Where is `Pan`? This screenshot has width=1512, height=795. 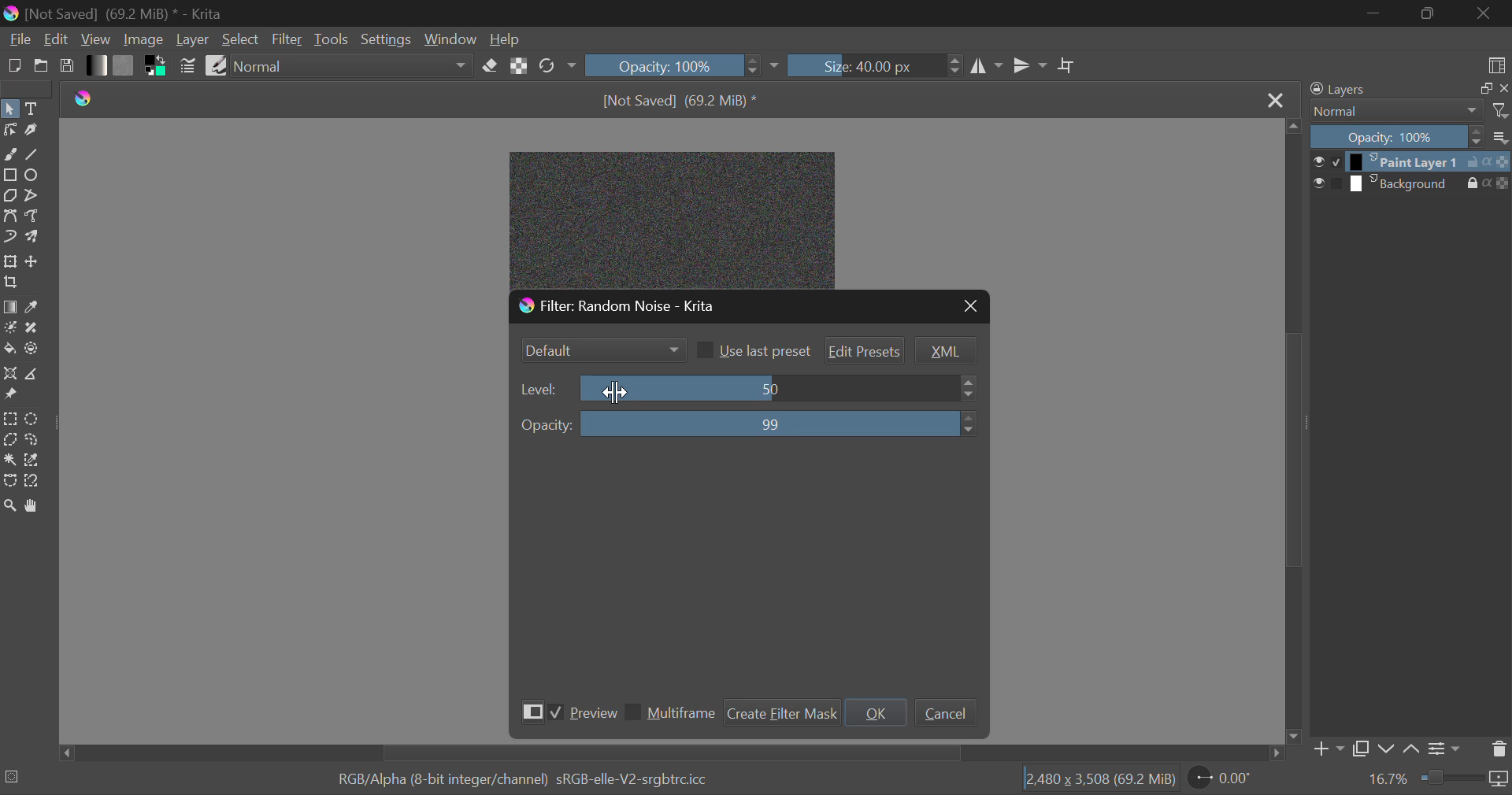
Pan is located at coordinates (36, 506).